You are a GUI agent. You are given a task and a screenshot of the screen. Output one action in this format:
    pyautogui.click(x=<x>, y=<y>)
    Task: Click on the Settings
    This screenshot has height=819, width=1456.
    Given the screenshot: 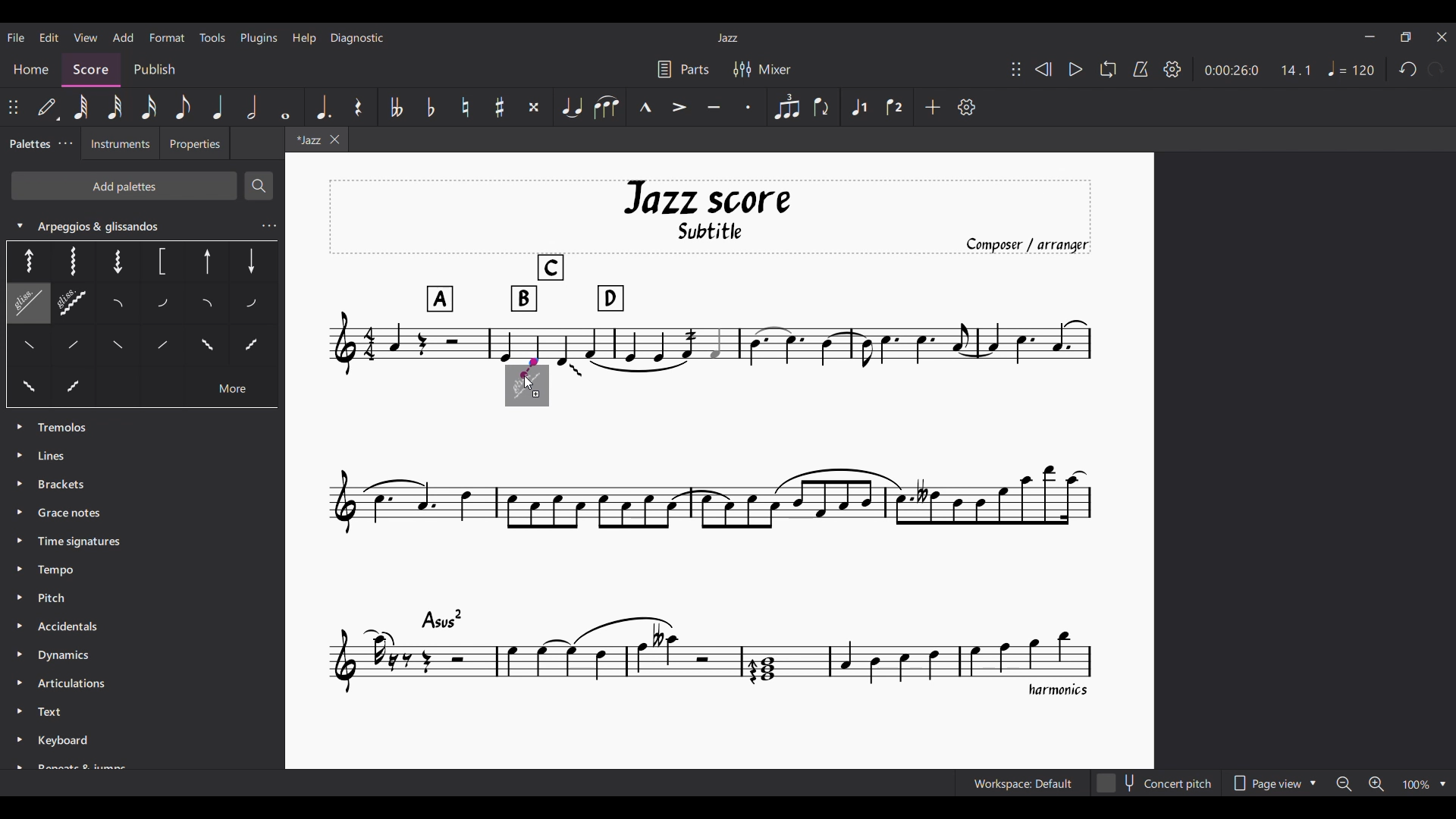 What is the action you would take?
    pyautogui.click(x=1172, y=69)
    